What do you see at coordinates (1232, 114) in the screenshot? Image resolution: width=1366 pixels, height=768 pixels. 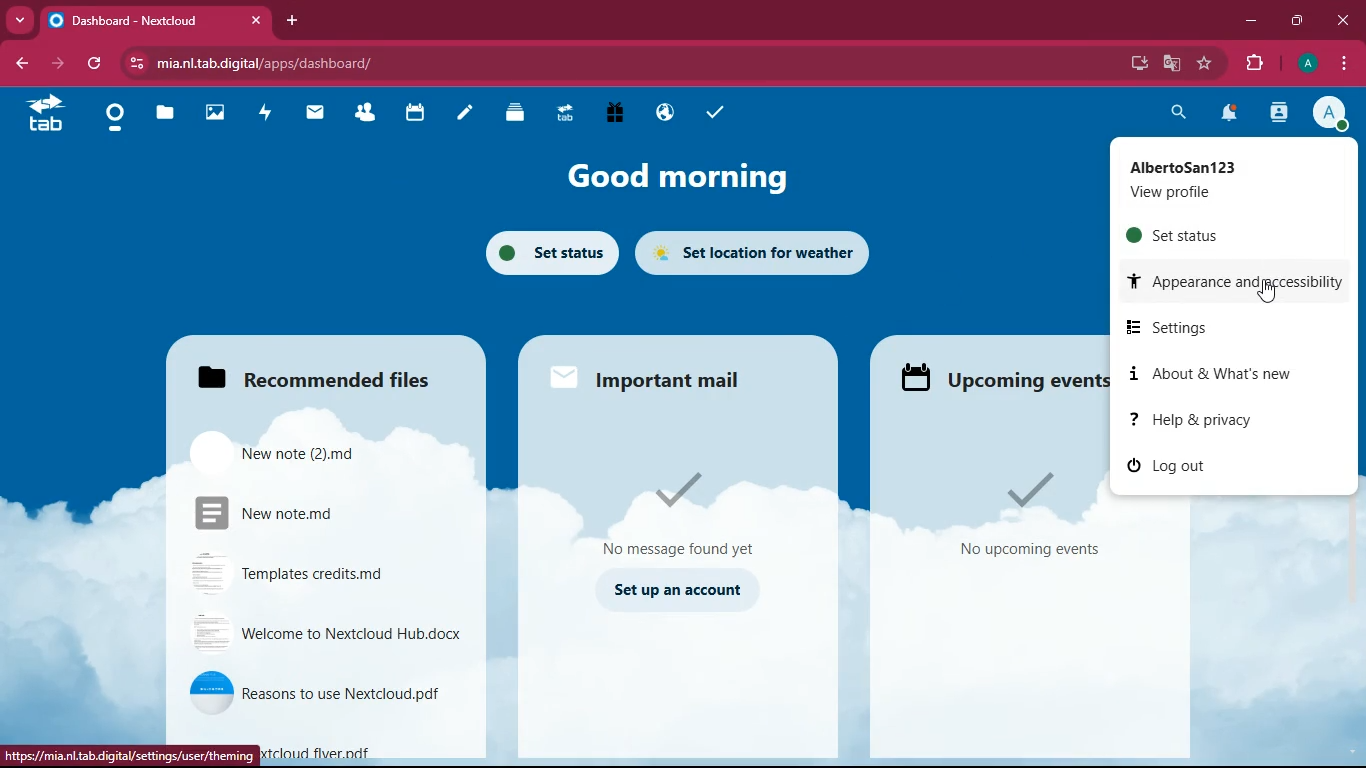 I see `notifications` at bounding box center [1232, 114].